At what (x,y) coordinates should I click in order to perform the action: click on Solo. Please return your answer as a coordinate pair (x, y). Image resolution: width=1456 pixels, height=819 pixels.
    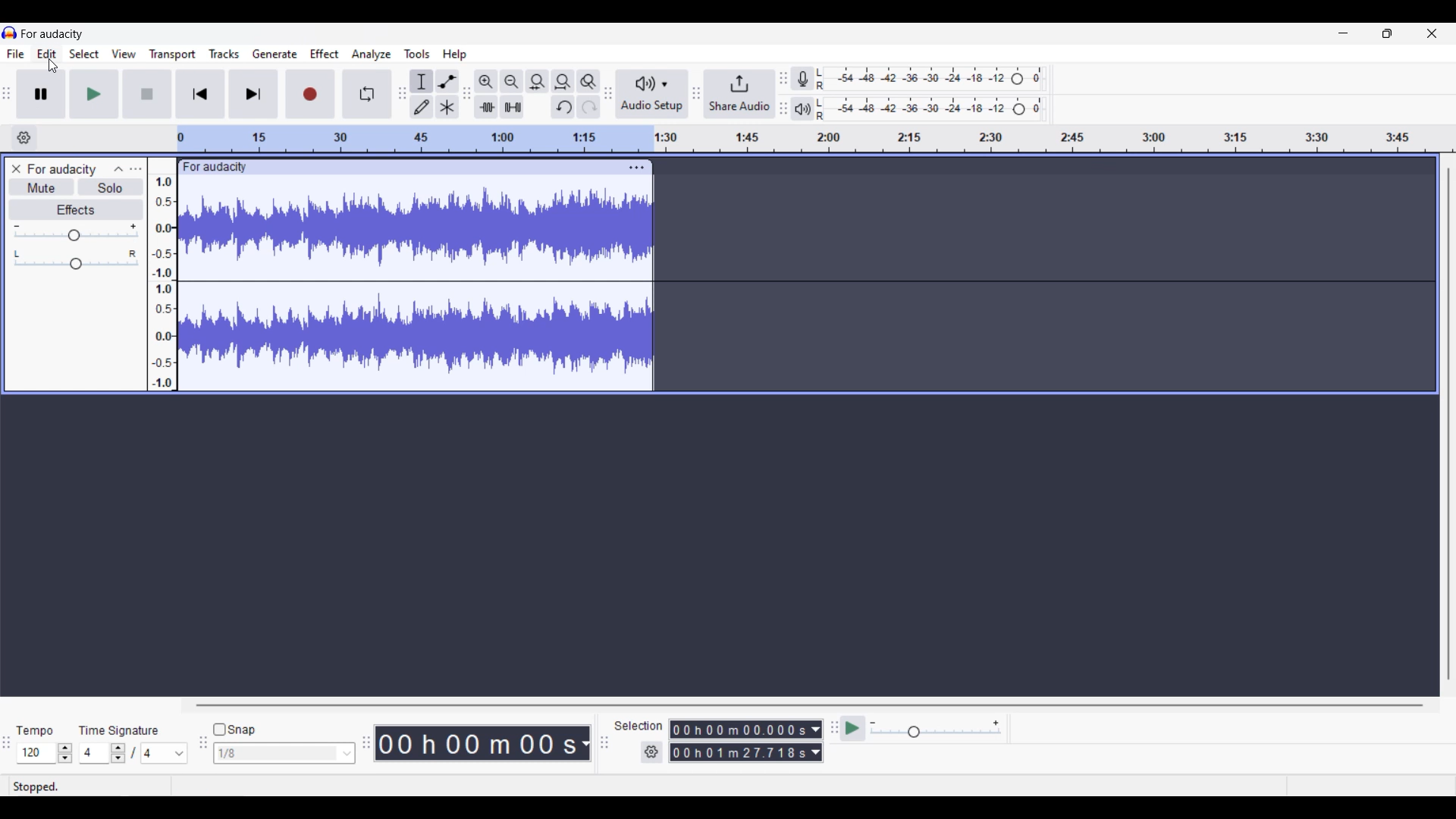
    Looking at the image, I should click on (111, 187).